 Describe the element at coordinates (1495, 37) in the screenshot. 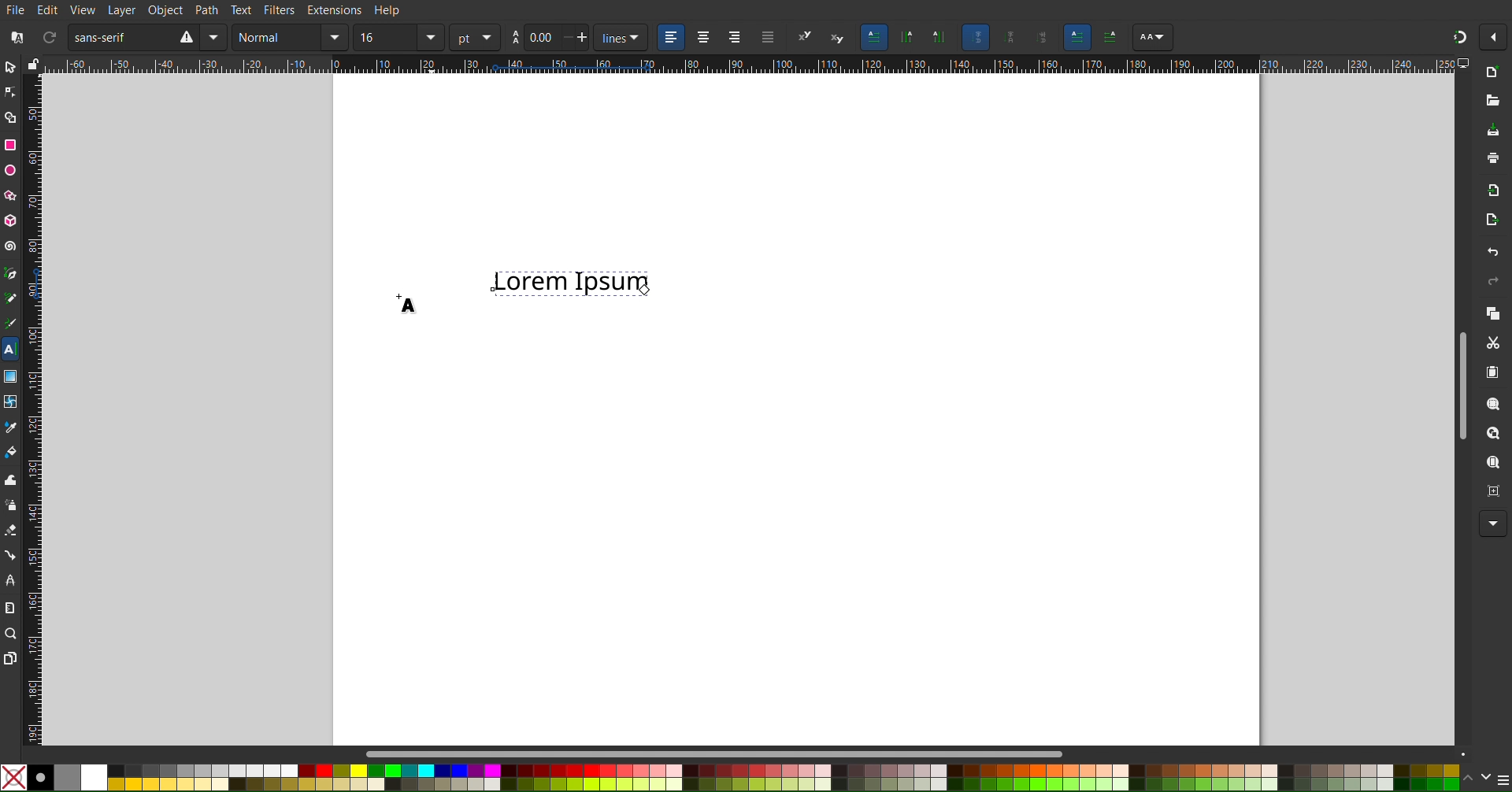

I see `Options` at that location.